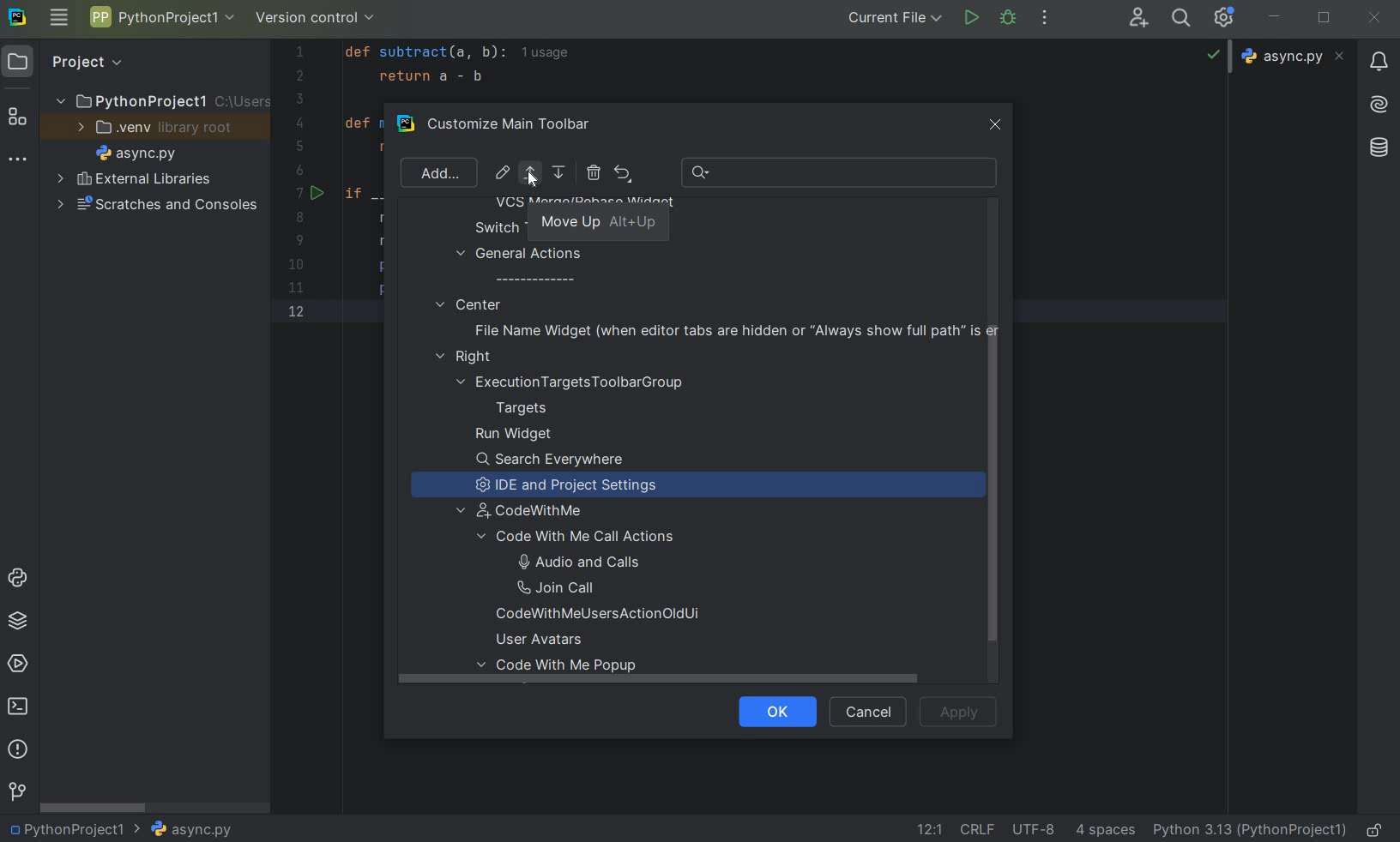 The width and height of the screenshot is (1400, 842). Describe the element at coordinates (1379, 60) in the screenshot. I see `updates` at that location.